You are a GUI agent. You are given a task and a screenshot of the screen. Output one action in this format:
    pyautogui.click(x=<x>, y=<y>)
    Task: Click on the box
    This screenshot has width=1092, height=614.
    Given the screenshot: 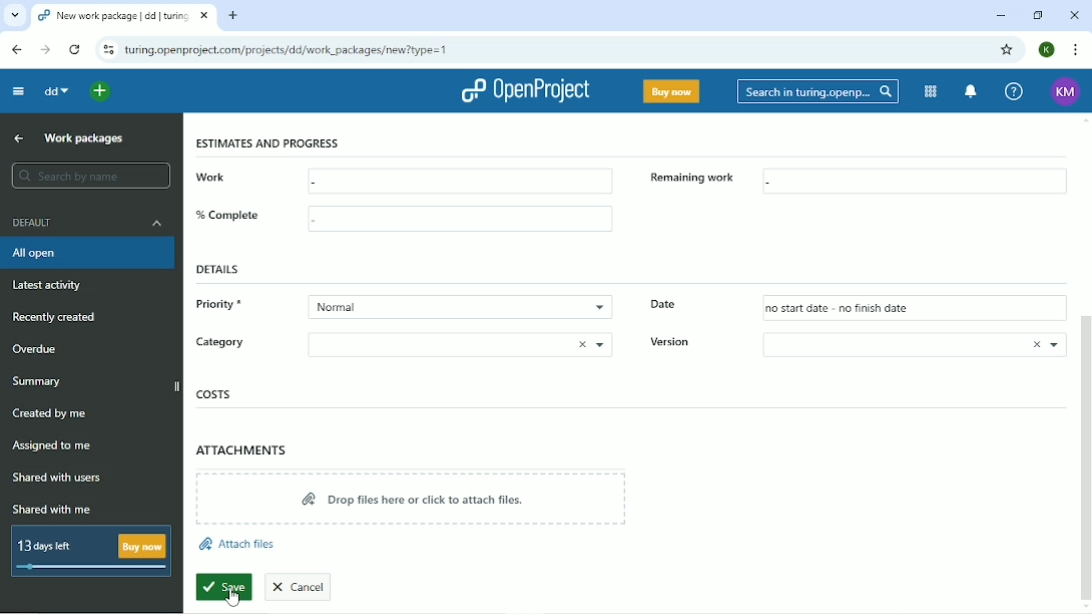 What is the action you would take?
    pyautogui.click(x=468, y=220)
    